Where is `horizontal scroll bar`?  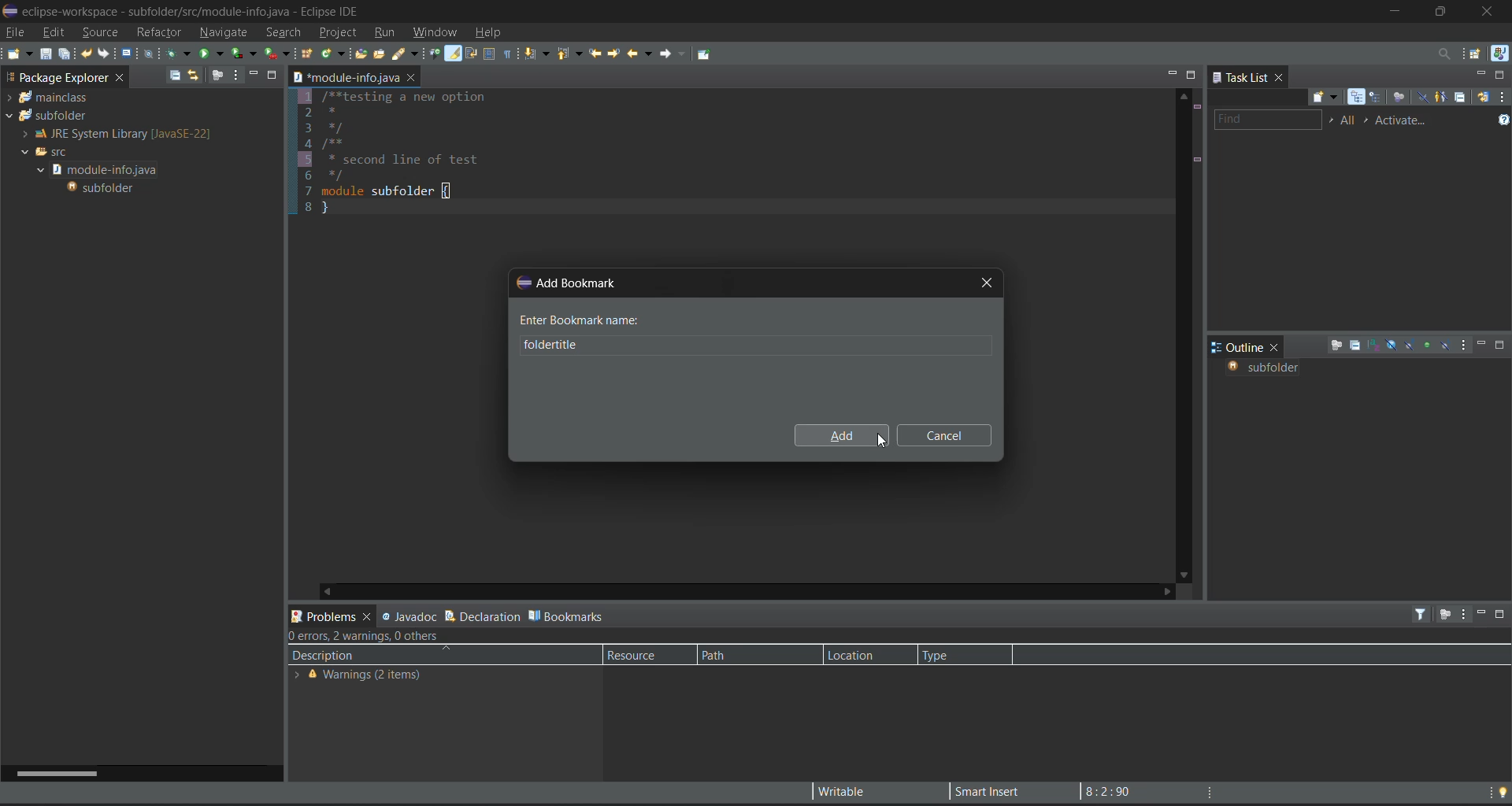
horizontal scroll bar is located at coordinates (66, 771).